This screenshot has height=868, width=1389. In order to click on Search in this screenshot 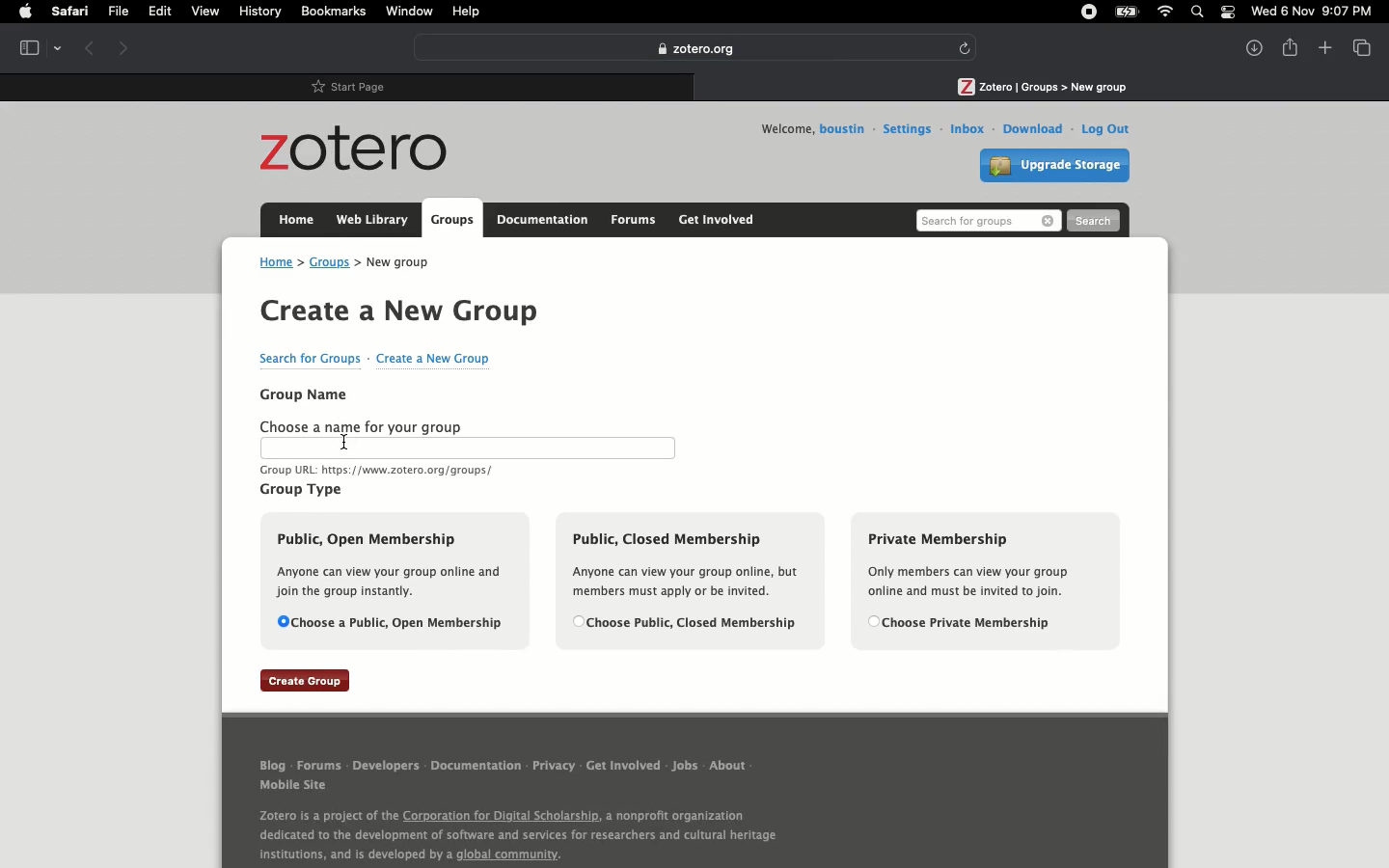, I will do `click(1093, 222)`.